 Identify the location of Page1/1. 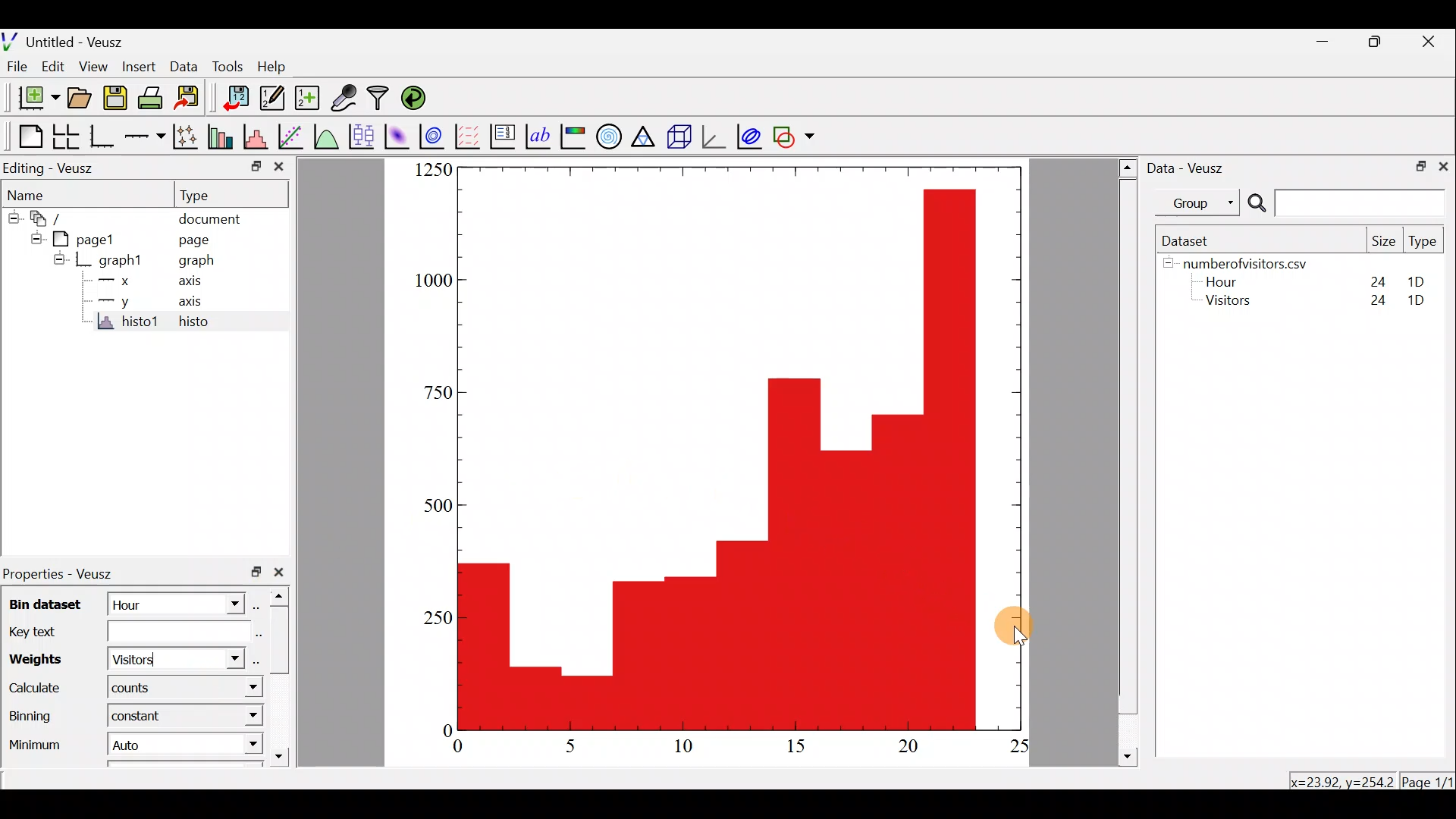
(1426, 780).